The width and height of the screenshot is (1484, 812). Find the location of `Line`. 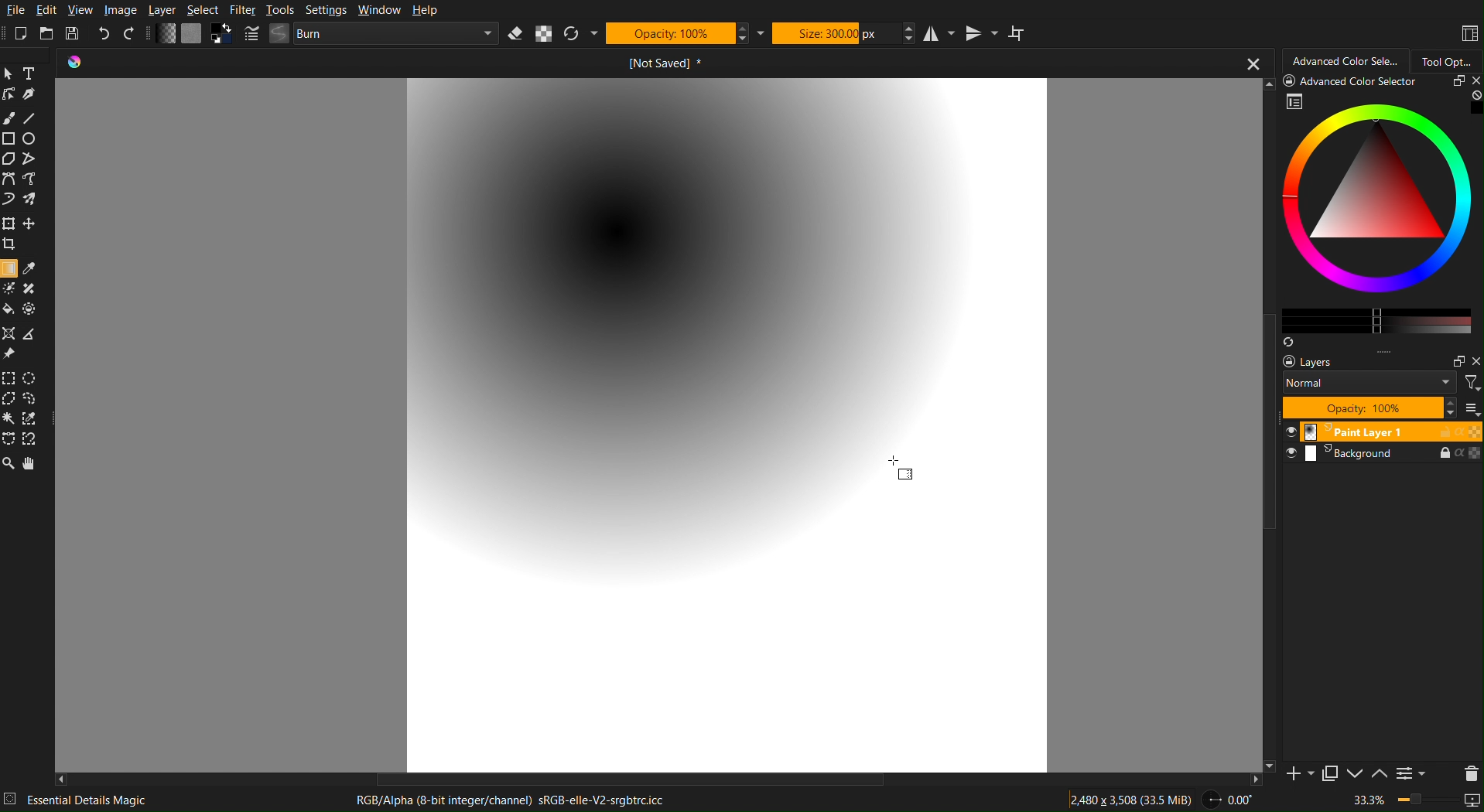

Line is located at coordinates (30, 118).